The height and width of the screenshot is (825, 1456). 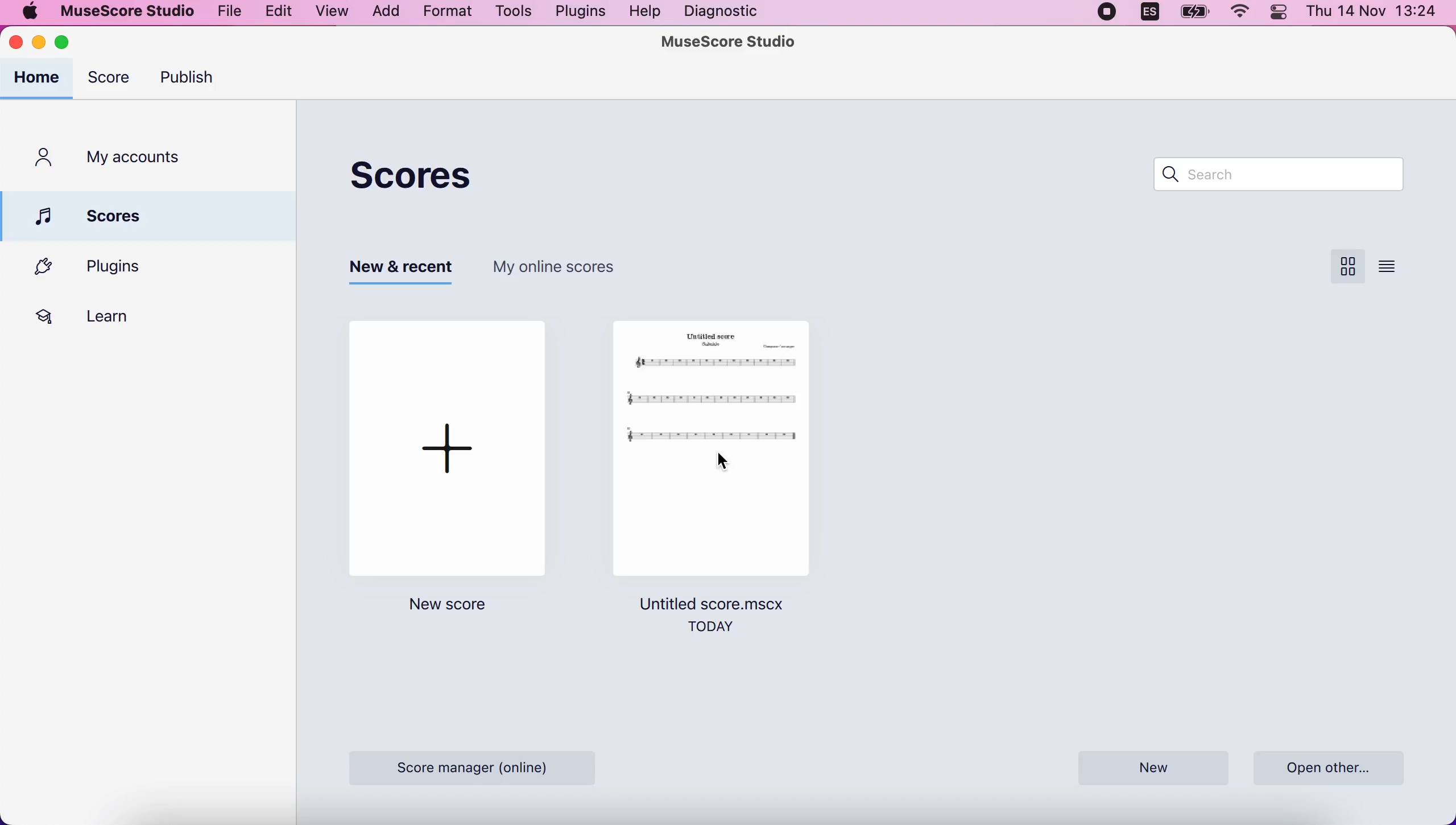 I want to click on format, so click(x=444, y=14).